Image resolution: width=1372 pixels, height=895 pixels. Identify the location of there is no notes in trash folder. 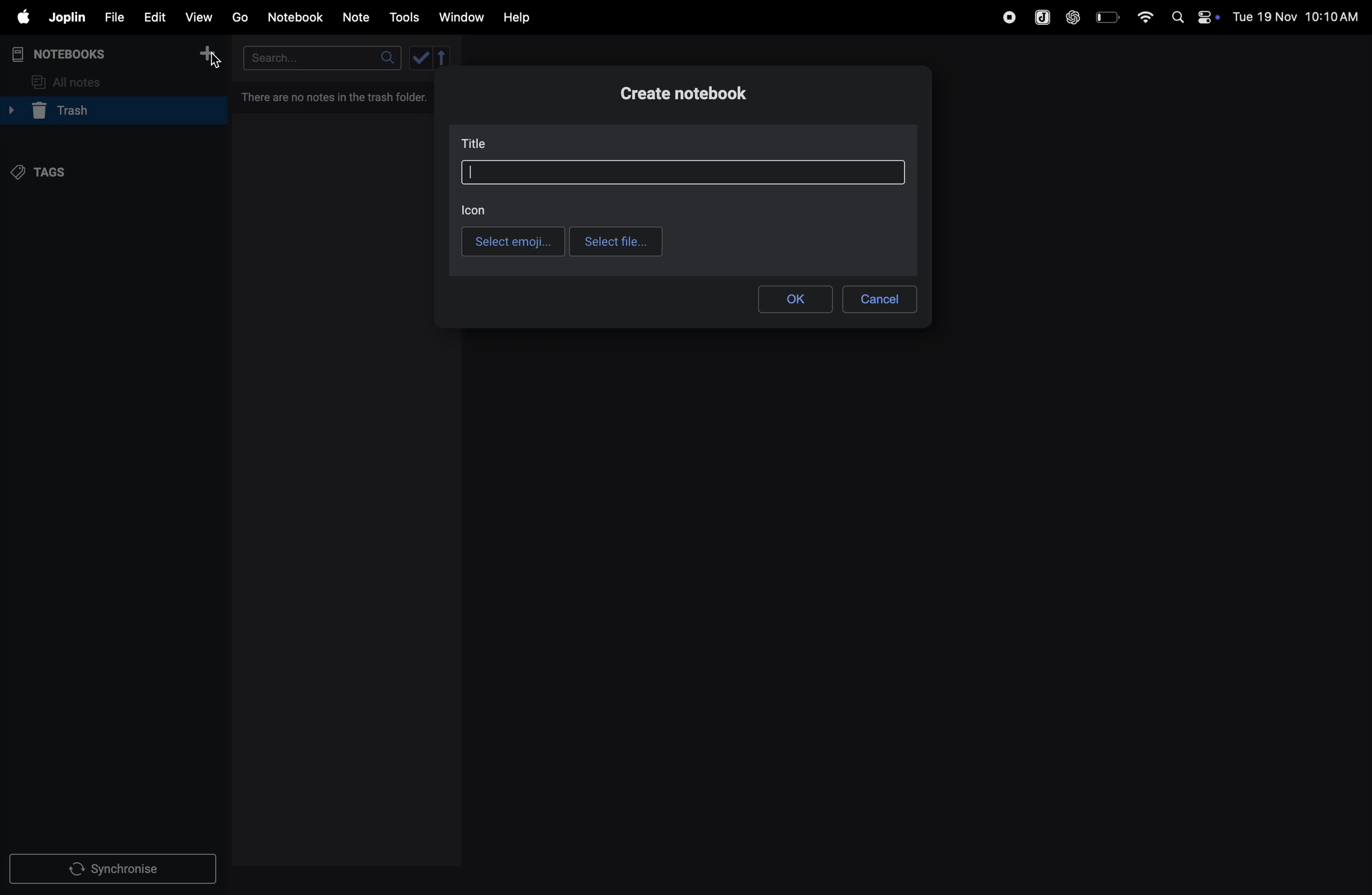
(339, 96).